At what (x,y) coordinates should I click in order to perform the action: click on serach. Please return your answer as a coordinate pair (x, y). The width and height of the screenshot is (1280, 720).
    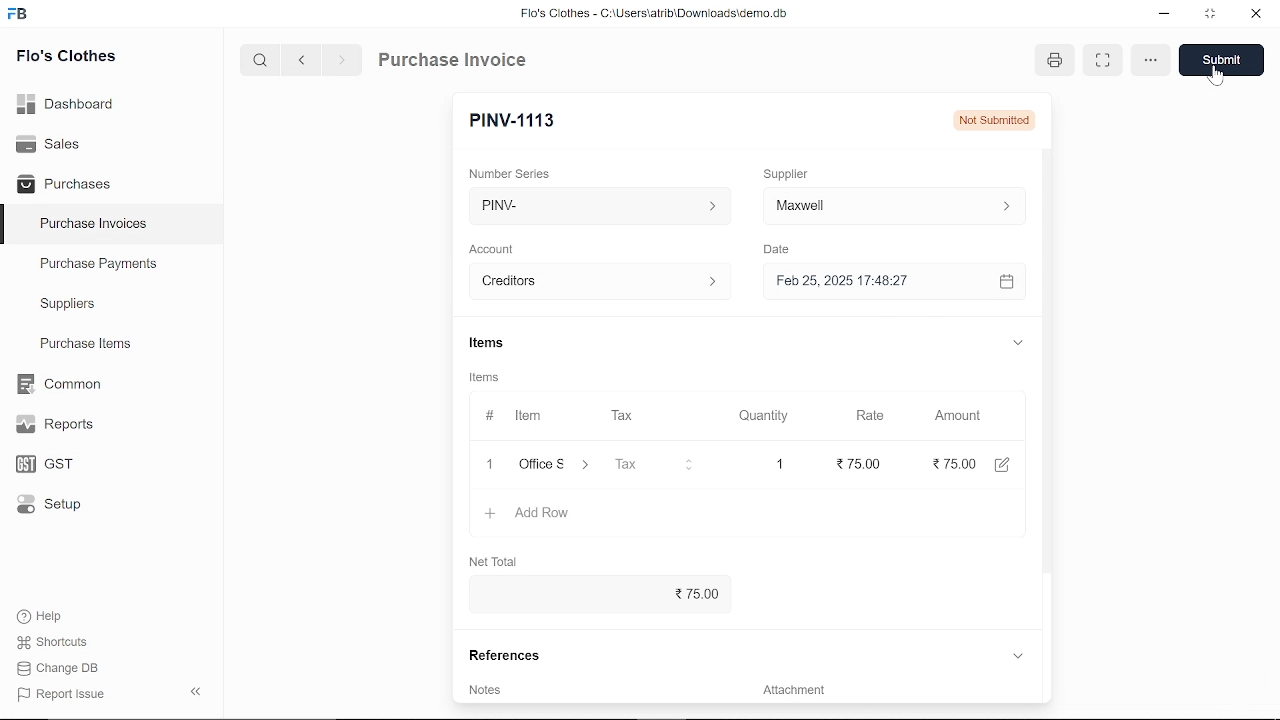
    Looking at the image, I should click on (258, 61).